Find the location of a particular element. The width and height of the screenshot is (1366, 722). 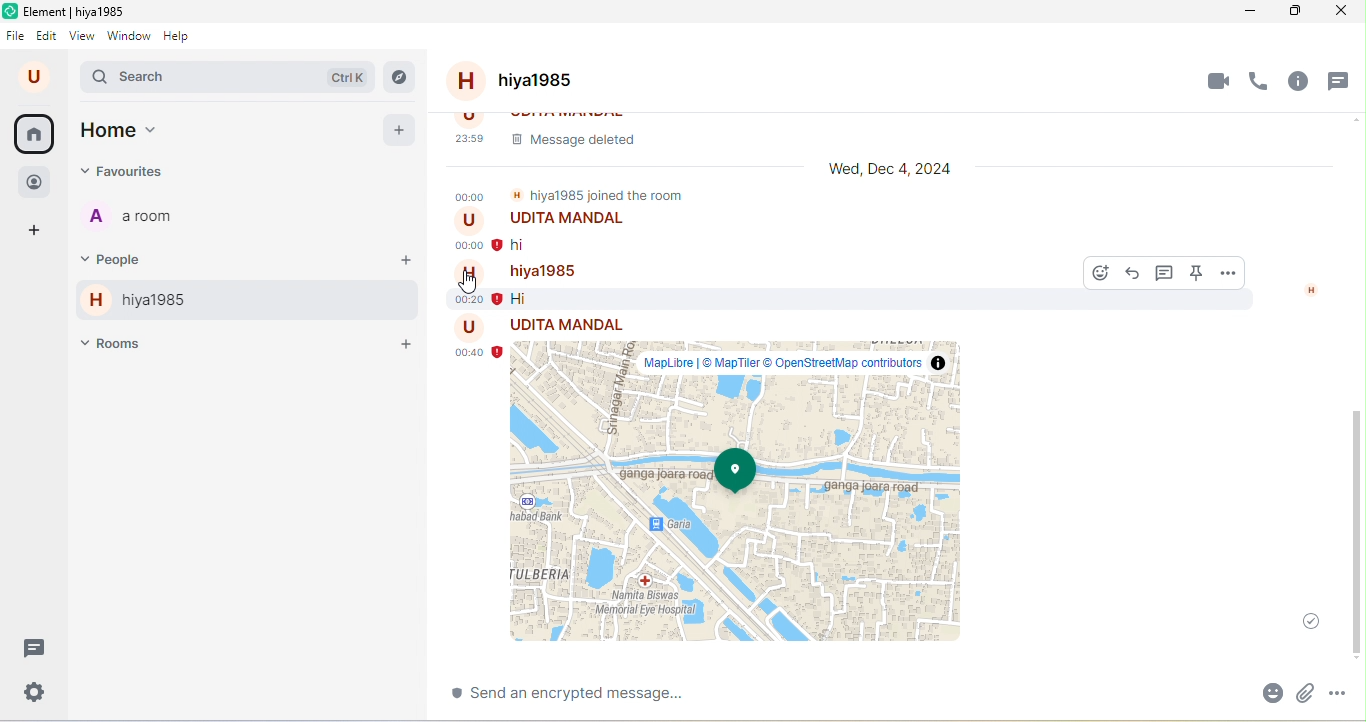

hiya 1985 is located at coordinates (134, 301).